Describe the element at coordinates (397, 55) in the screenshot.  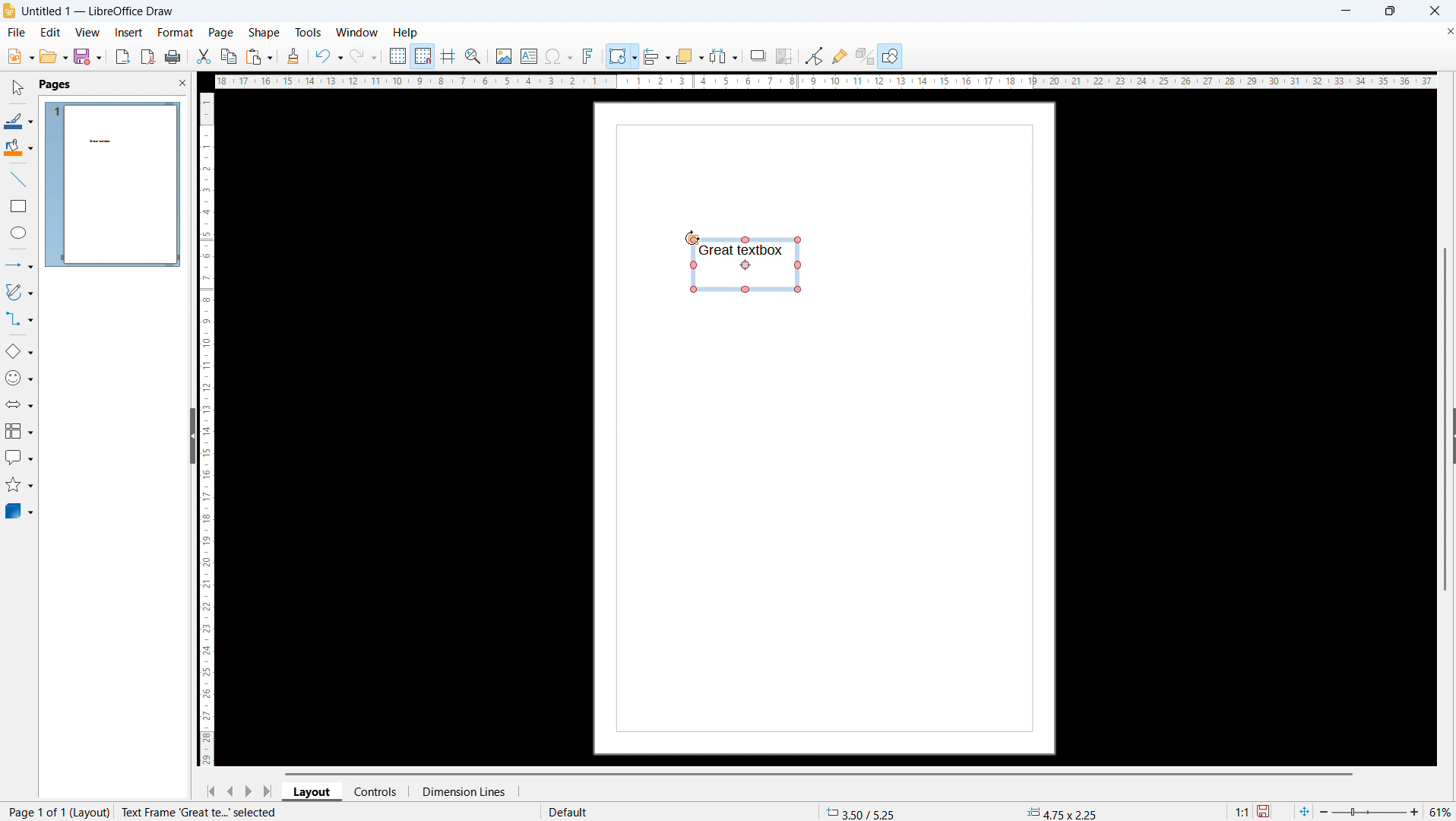
I see `show grid` at that location.